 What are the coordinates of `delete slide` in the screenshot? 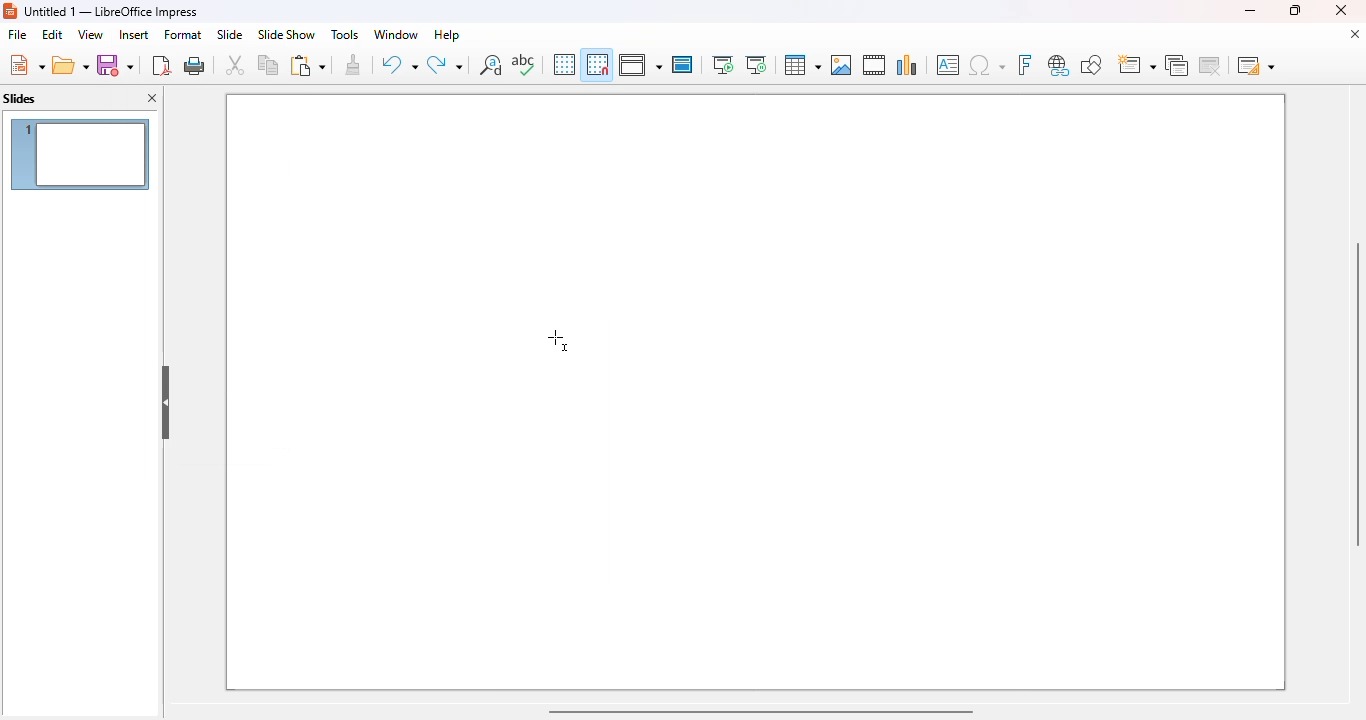 It's located at (1213, 65).